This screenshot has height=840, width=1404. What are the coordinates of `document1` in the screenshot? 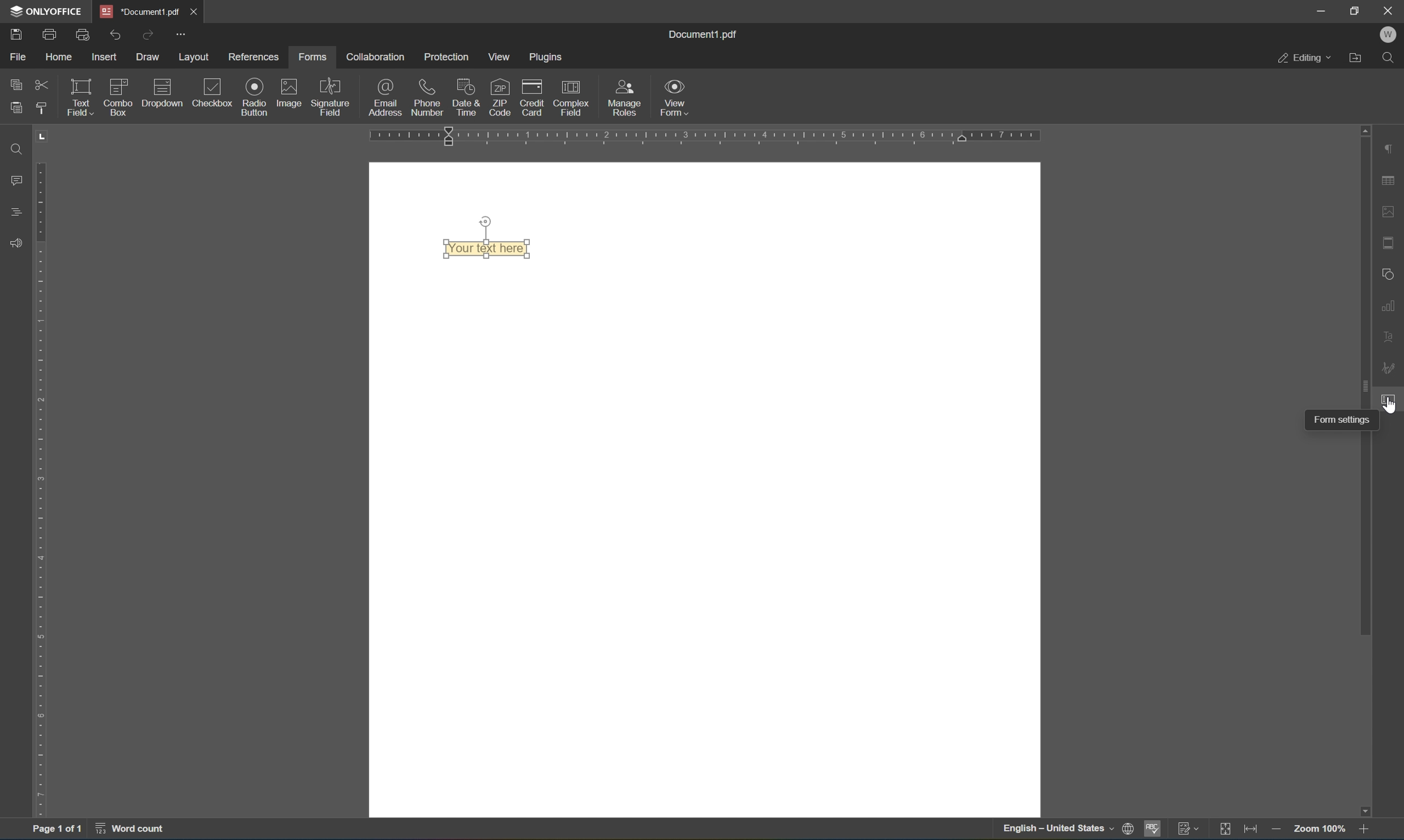 It's located at (143, 11).